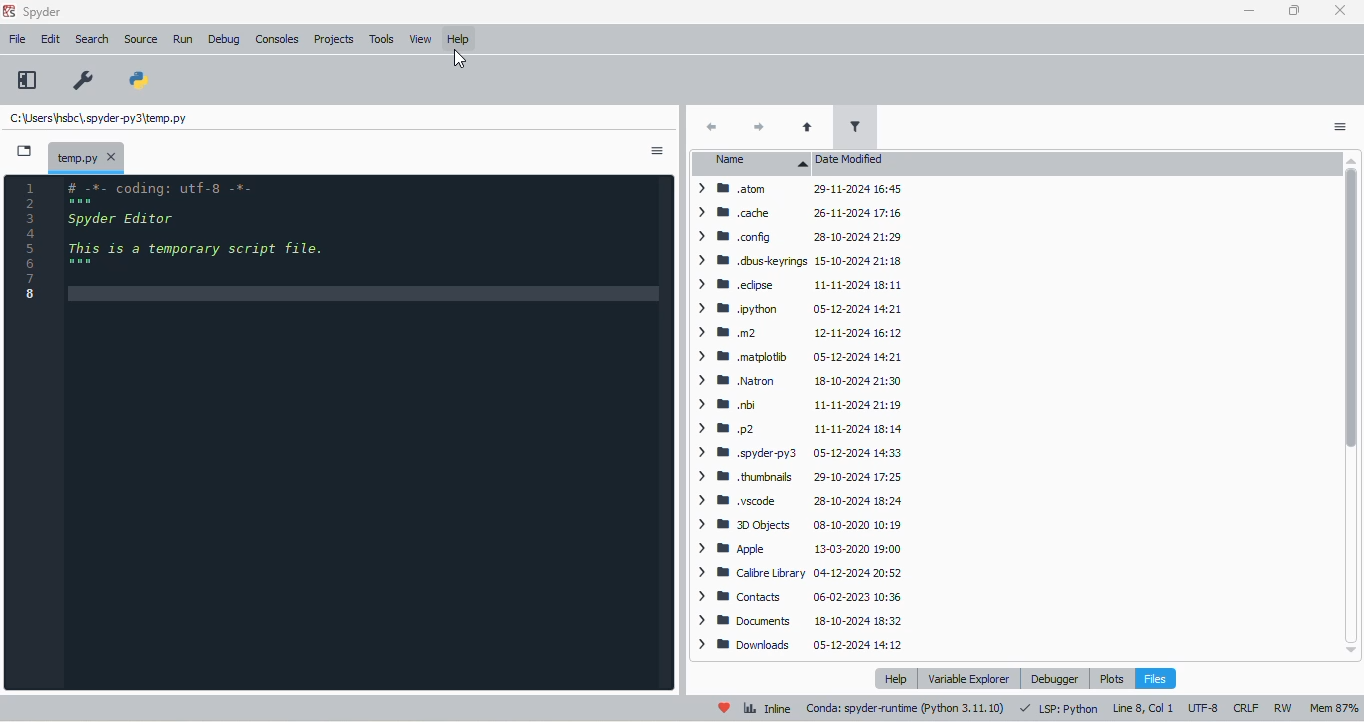 This screenshot has width=1364, height=722. What do you see at coordinates (970, 678) in the screenshot?
I see `variable explorer` at bounding box center [970, 678].